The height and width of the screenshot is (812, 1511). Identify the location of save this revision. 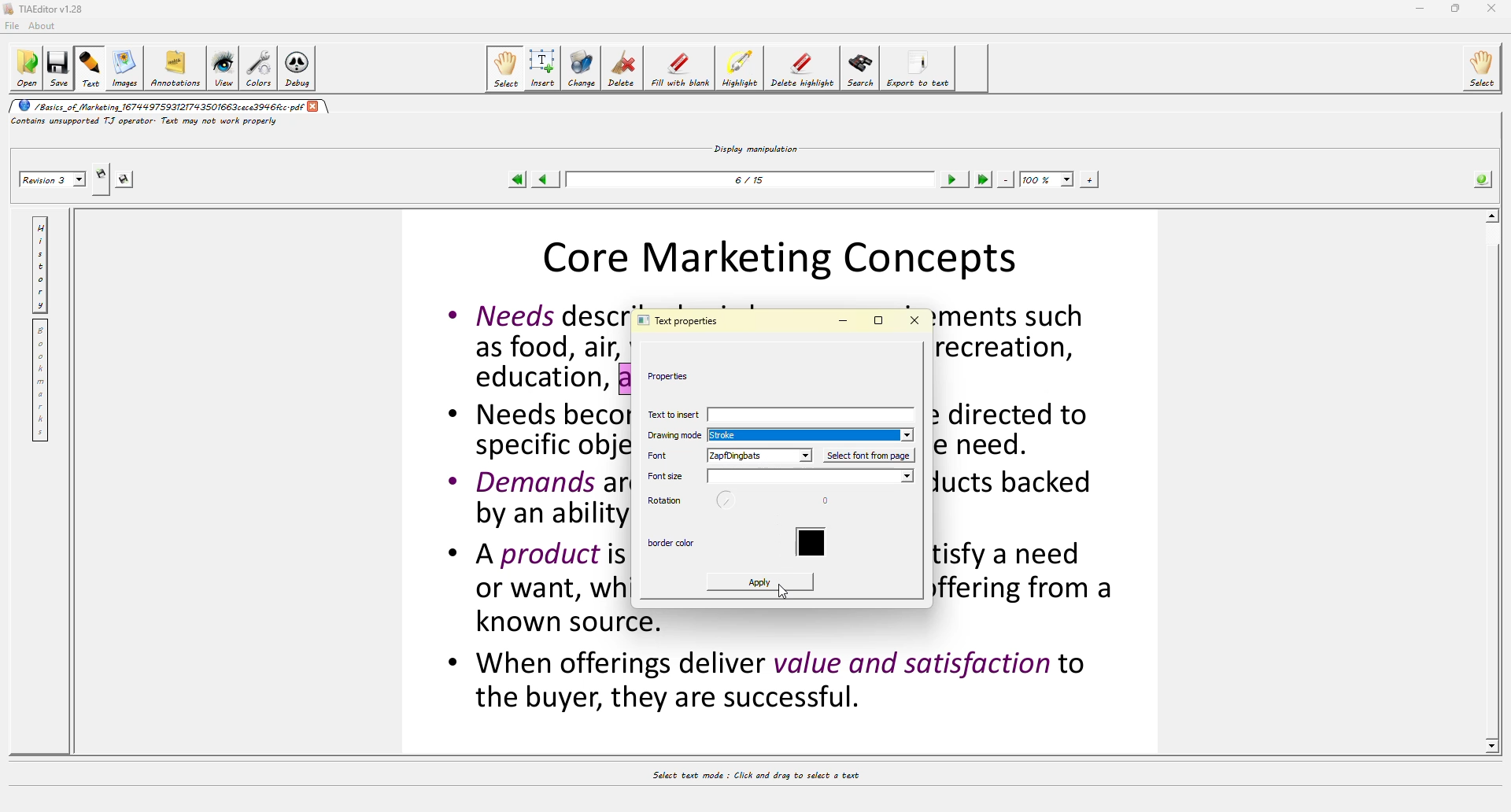
(126, 179).